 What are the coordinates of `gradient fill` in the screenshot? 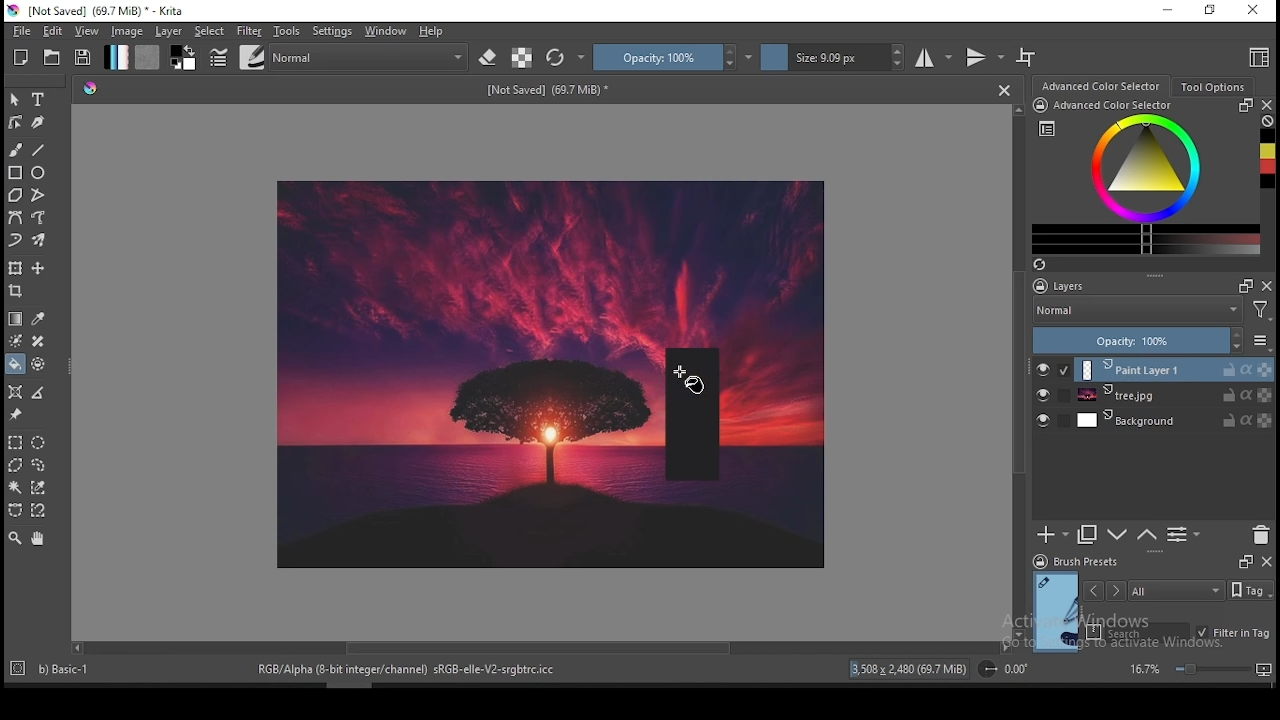 It's located at (117, 57).